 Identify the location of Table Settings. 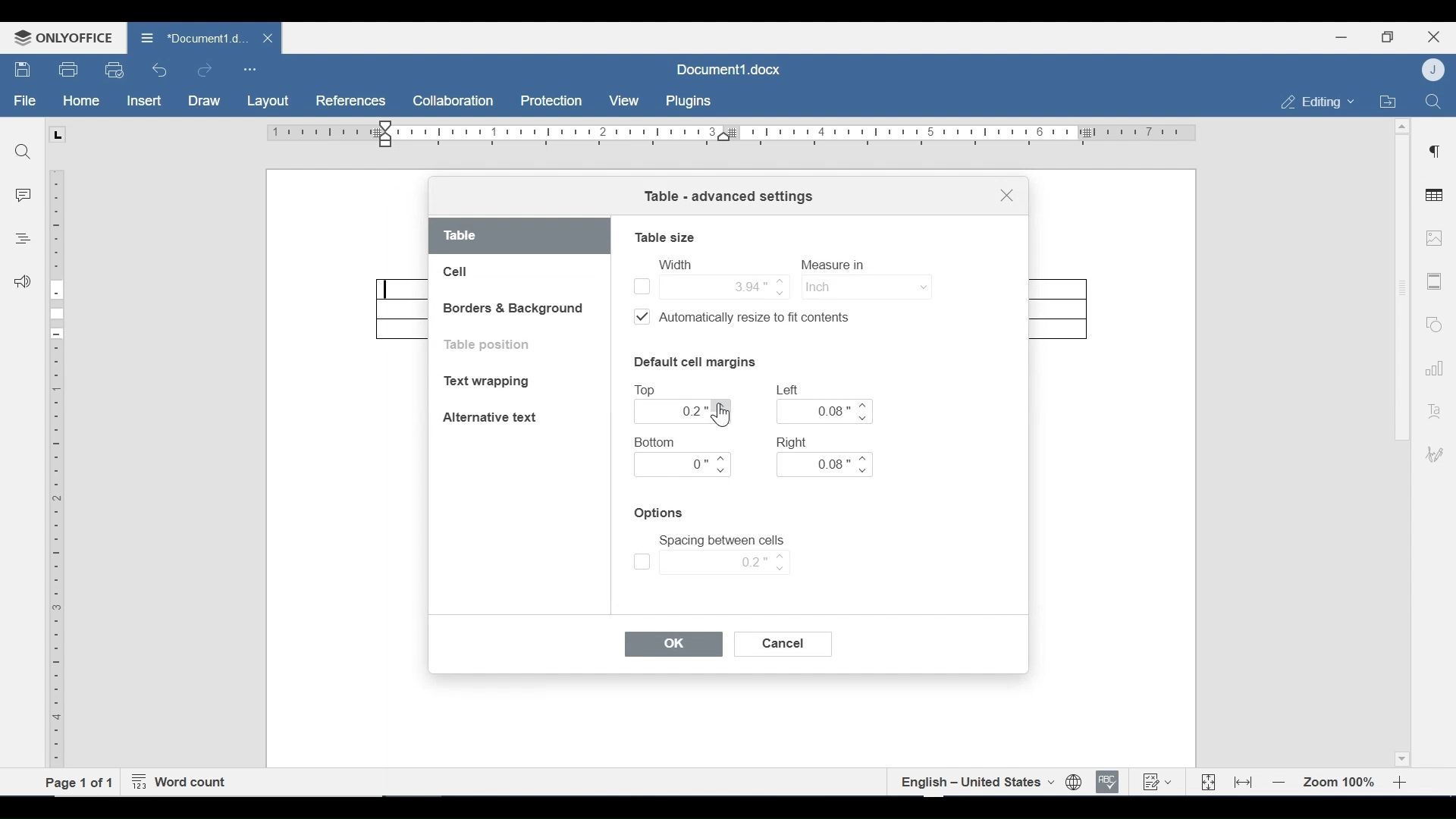
(1435, 196).